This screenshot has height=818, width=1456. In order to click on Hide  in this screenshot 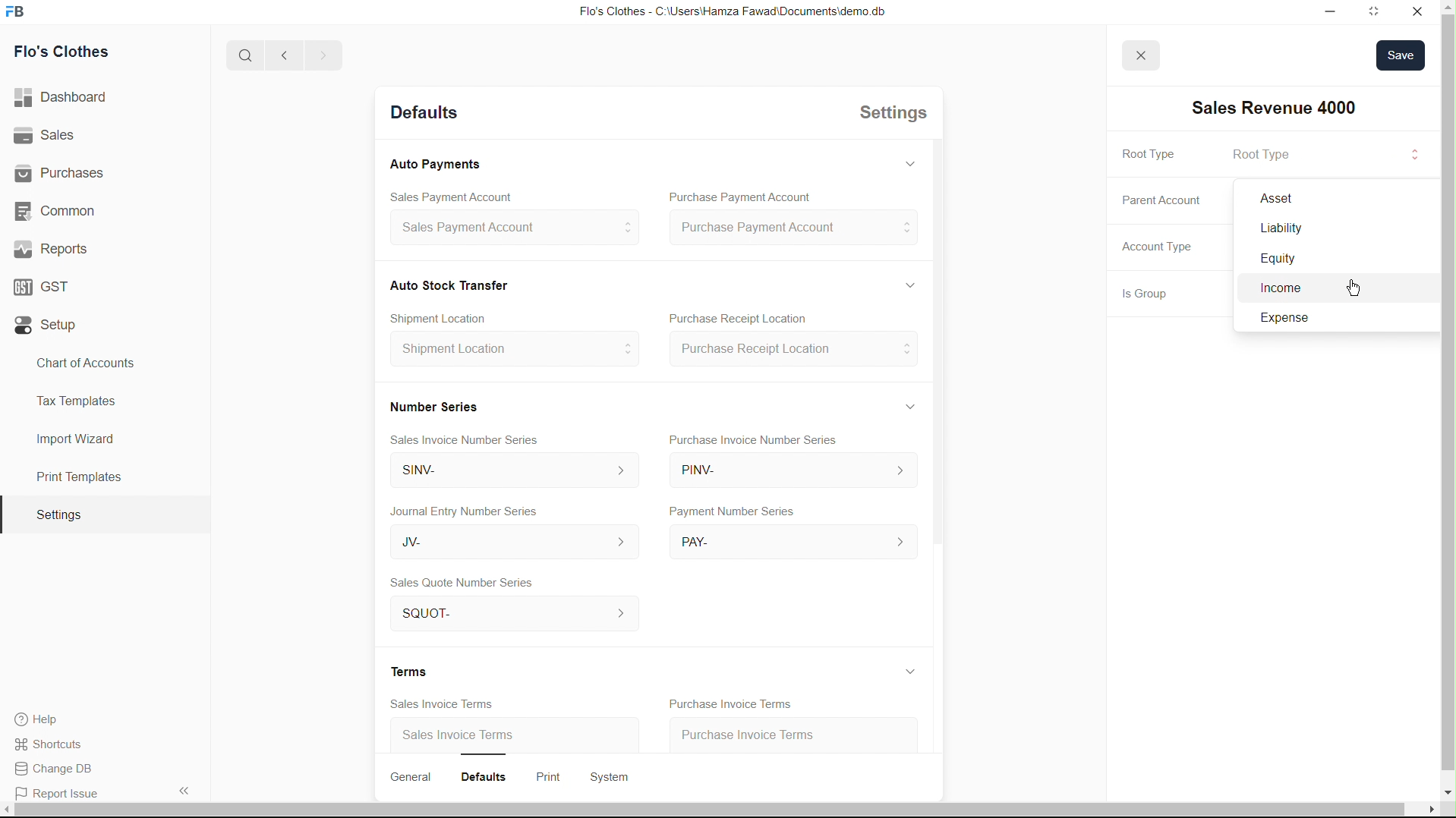, I will do `click(918, 405)`.